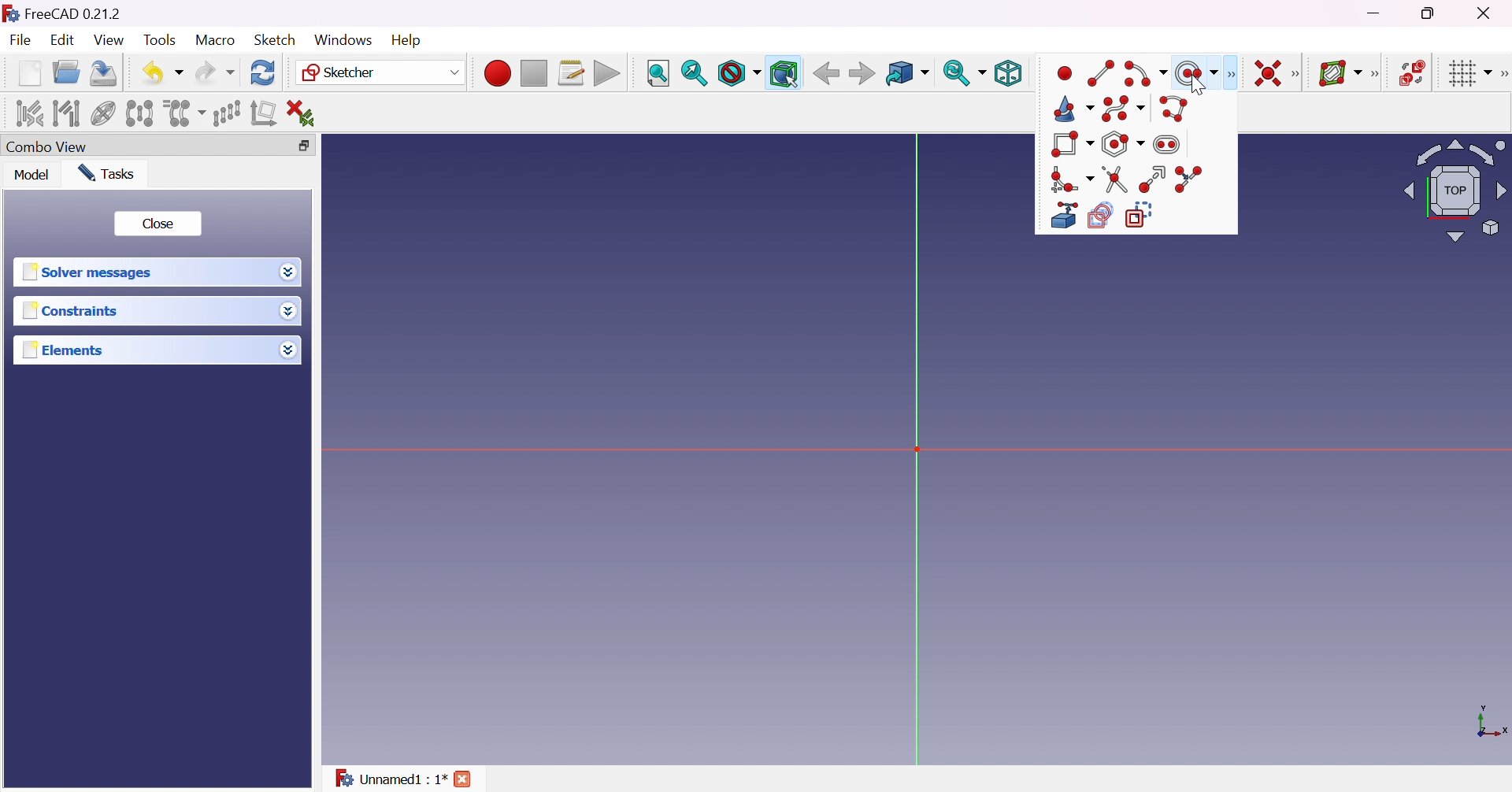  Describe the element at coordinates (1102, 216) in the screenshot. I see `Create carbon copy` at that location.